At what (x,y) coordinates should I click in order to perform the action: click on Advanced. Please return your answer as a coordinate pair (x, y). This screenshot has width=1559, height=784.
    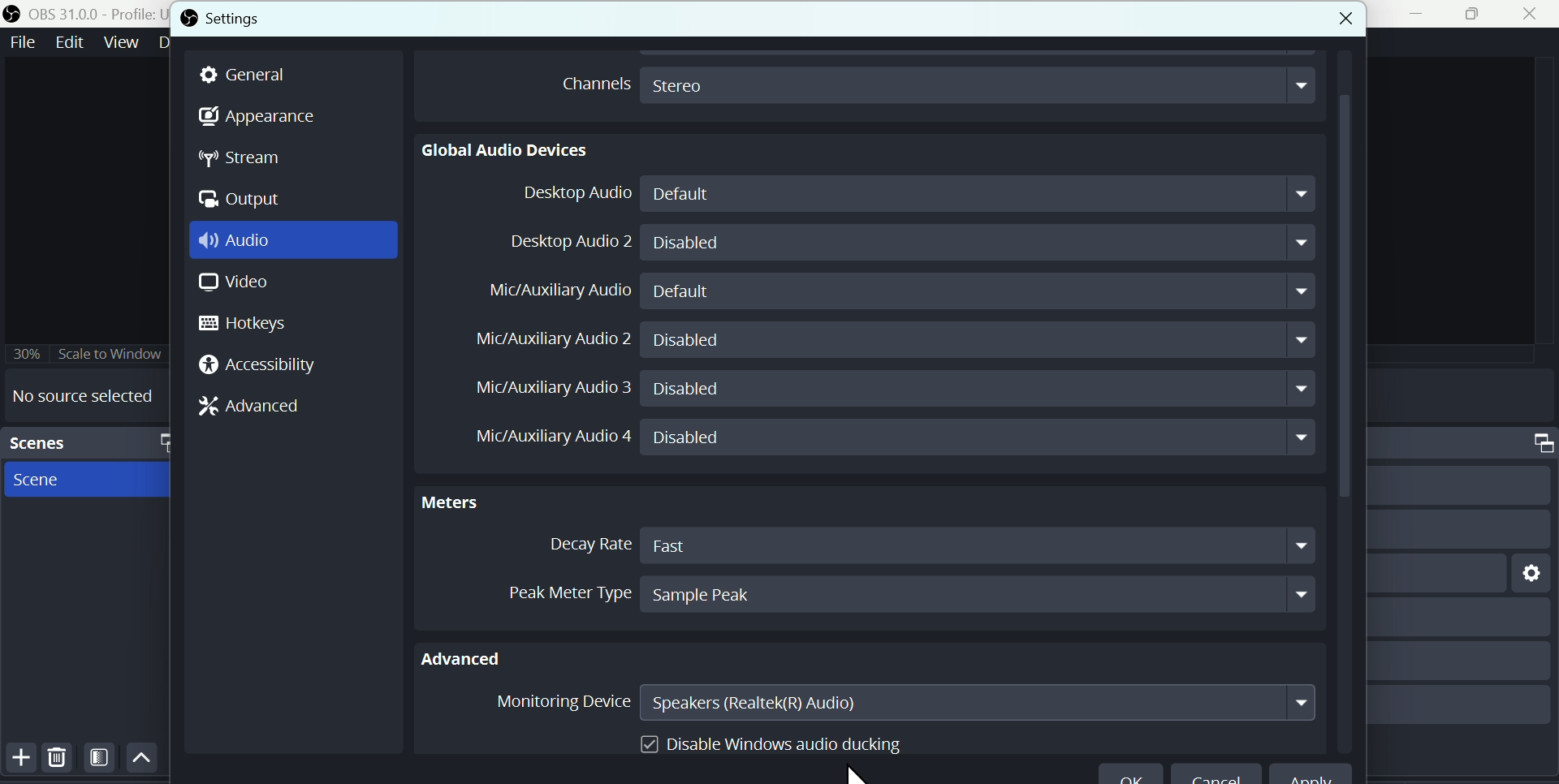
    Looking at the image, I should click on (257, 405).